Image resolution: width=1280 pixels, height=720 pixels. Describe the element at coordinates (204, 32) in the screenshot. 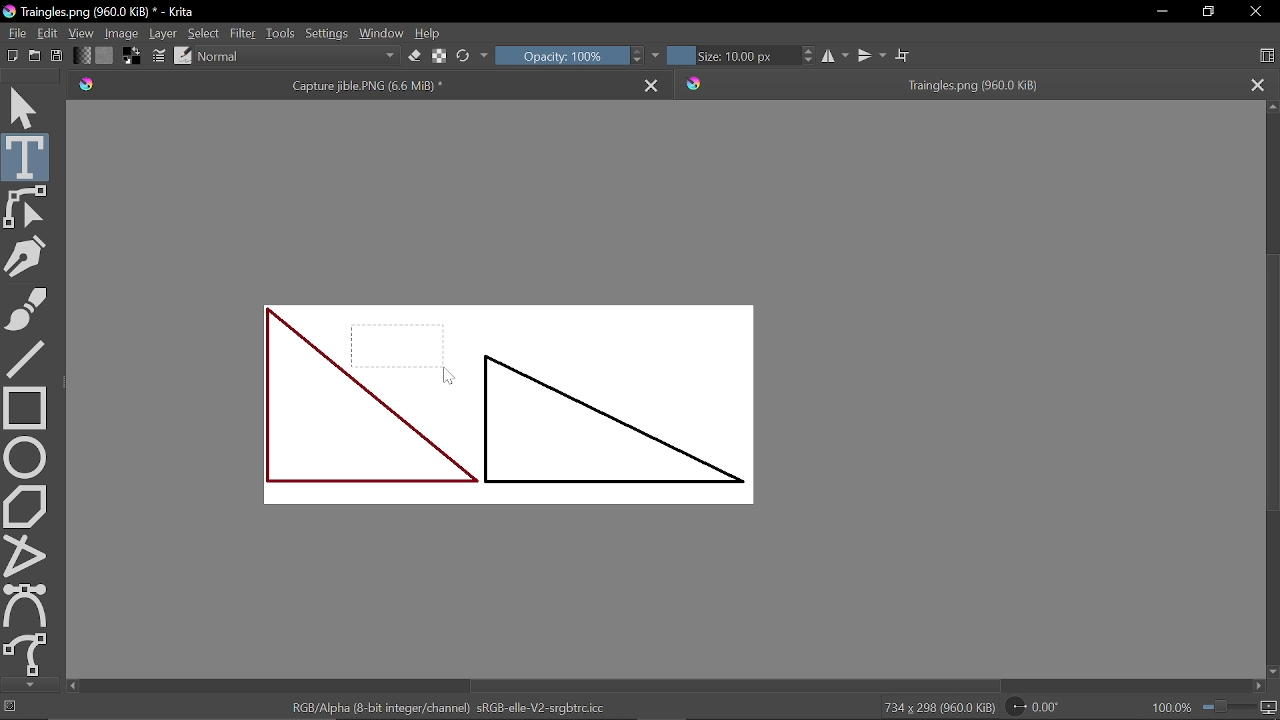

I see `Select` at that location.